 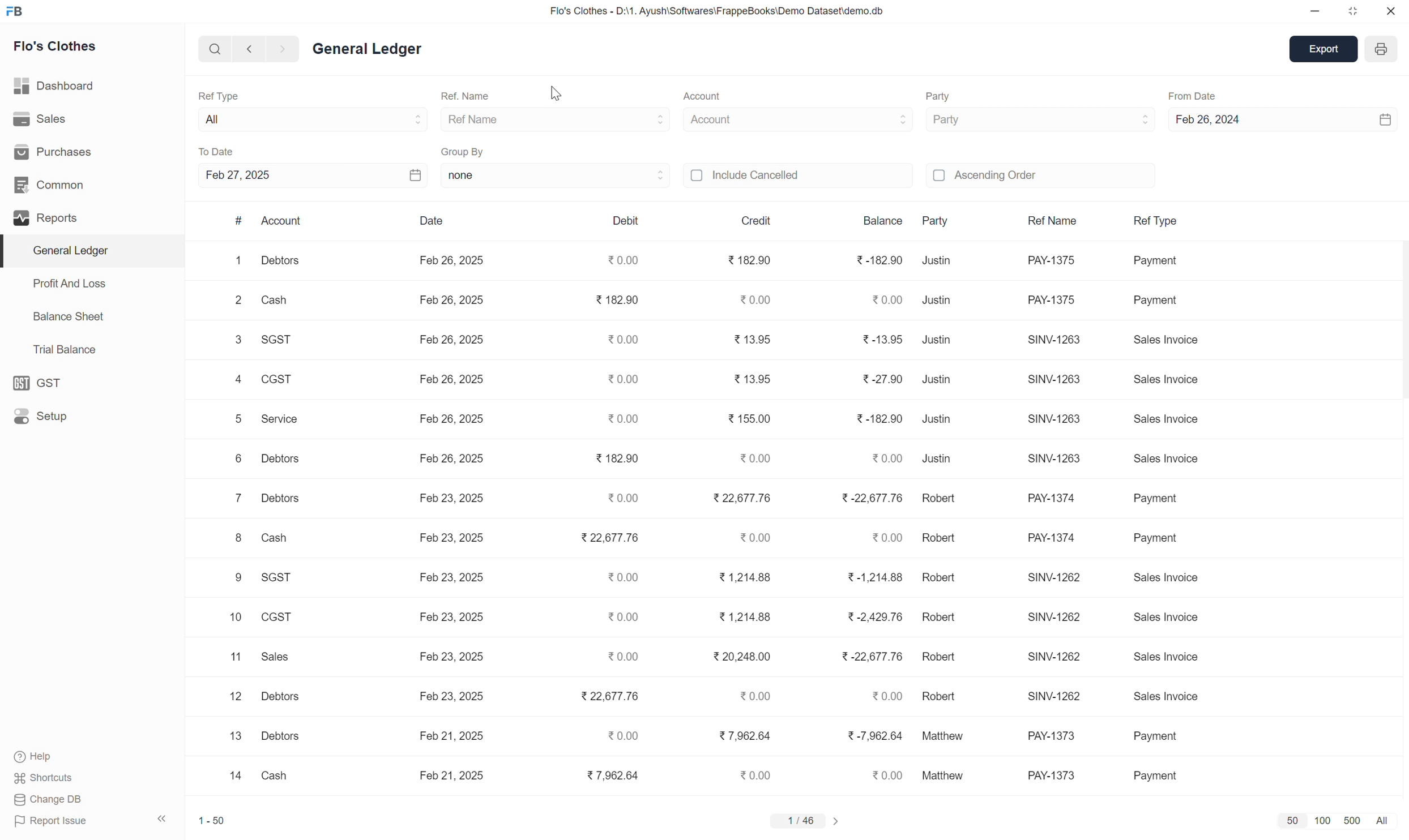 What do you see at coordinates (1156, 777) in the screenshot?
I see `payment` at bounding box center [1156, 777].